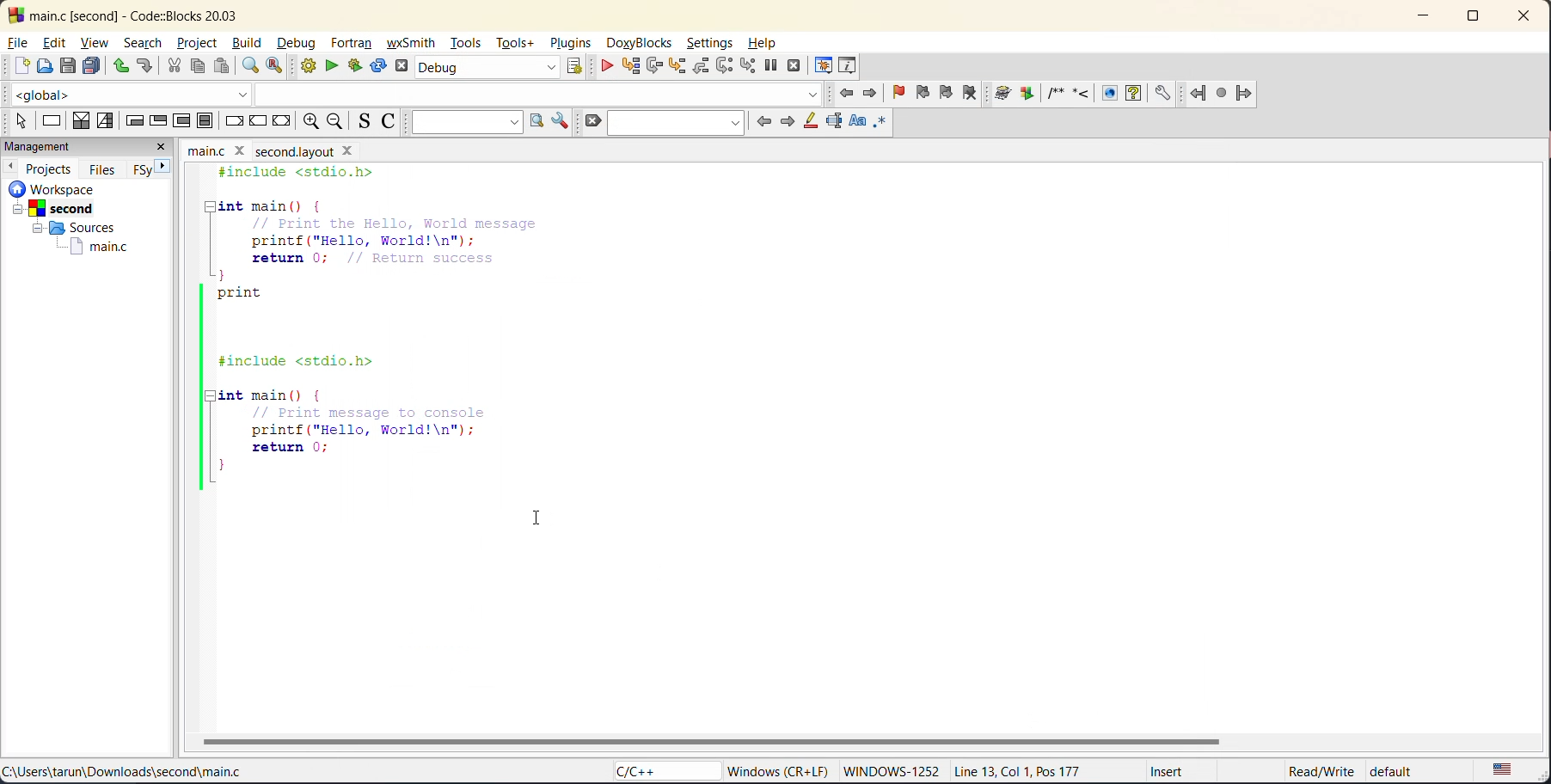 Image resolution: width=1551 pixels, height=784 pixels. Describe the element at coordinates (823, 62) in the screenshot. I see `debugging windows` at that location.